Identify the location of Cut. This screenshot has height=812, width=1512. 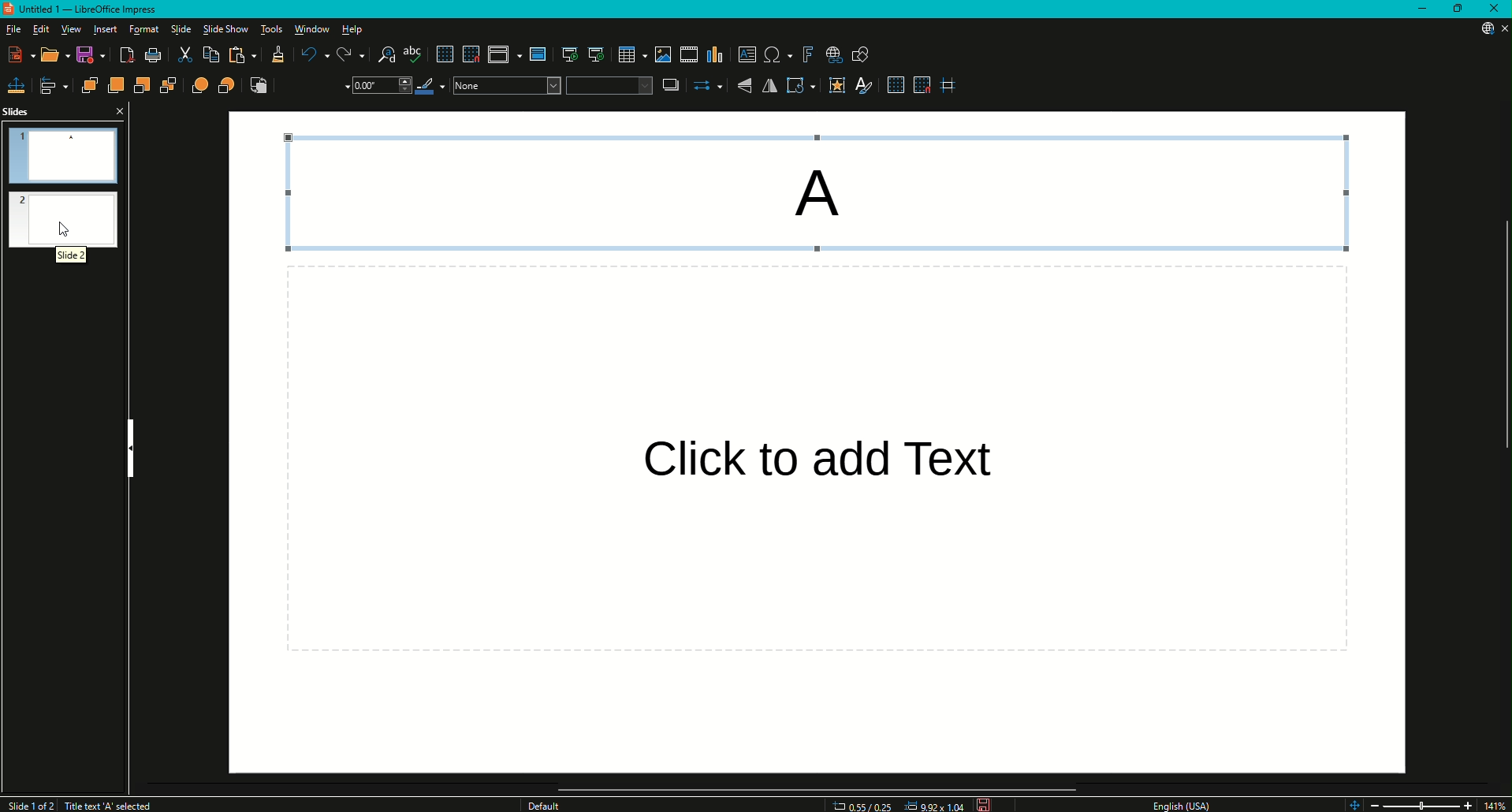
(181, 55).